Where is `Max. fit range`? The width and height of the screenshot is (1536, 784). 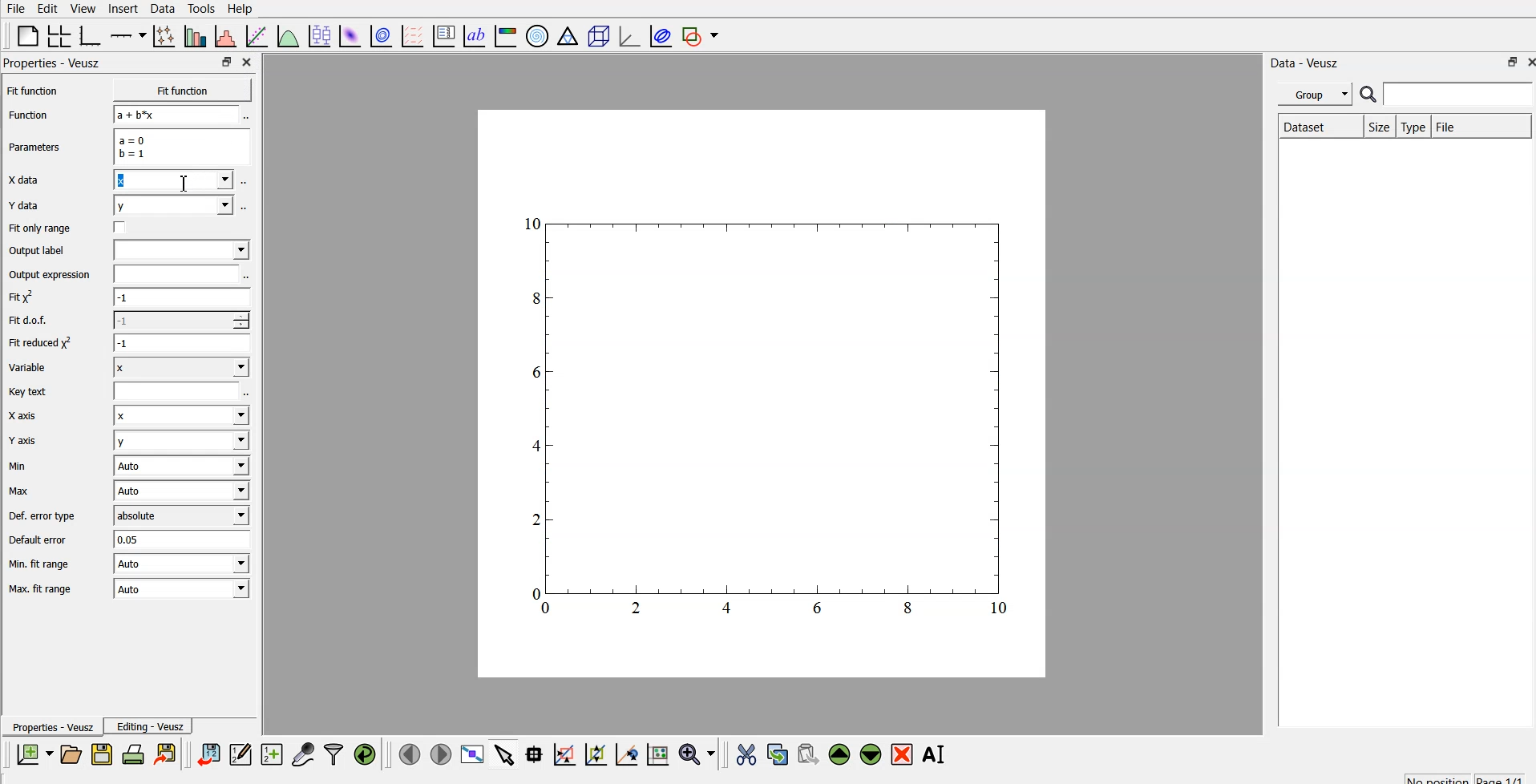 Max. fit range is located at coordinates (41, 590).